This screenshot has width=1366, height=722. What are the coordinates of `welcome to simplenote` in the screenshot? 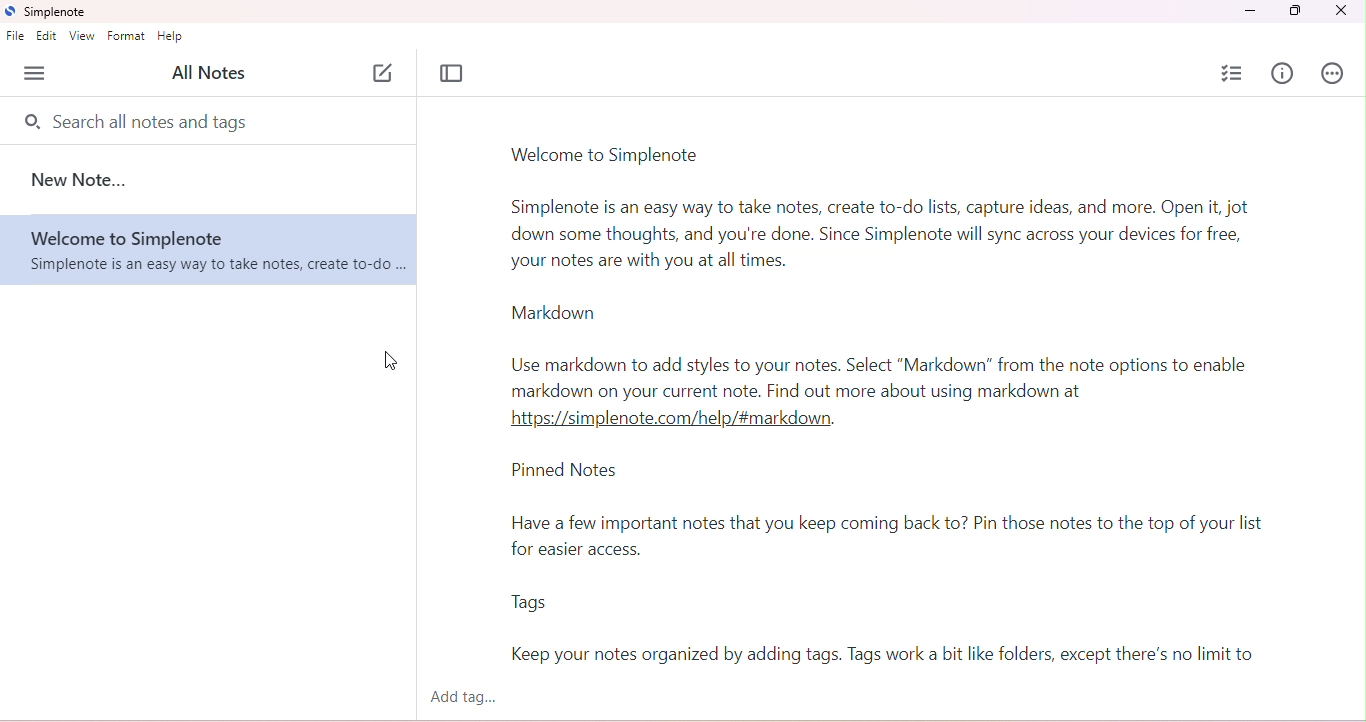 It's located at (210, 250).